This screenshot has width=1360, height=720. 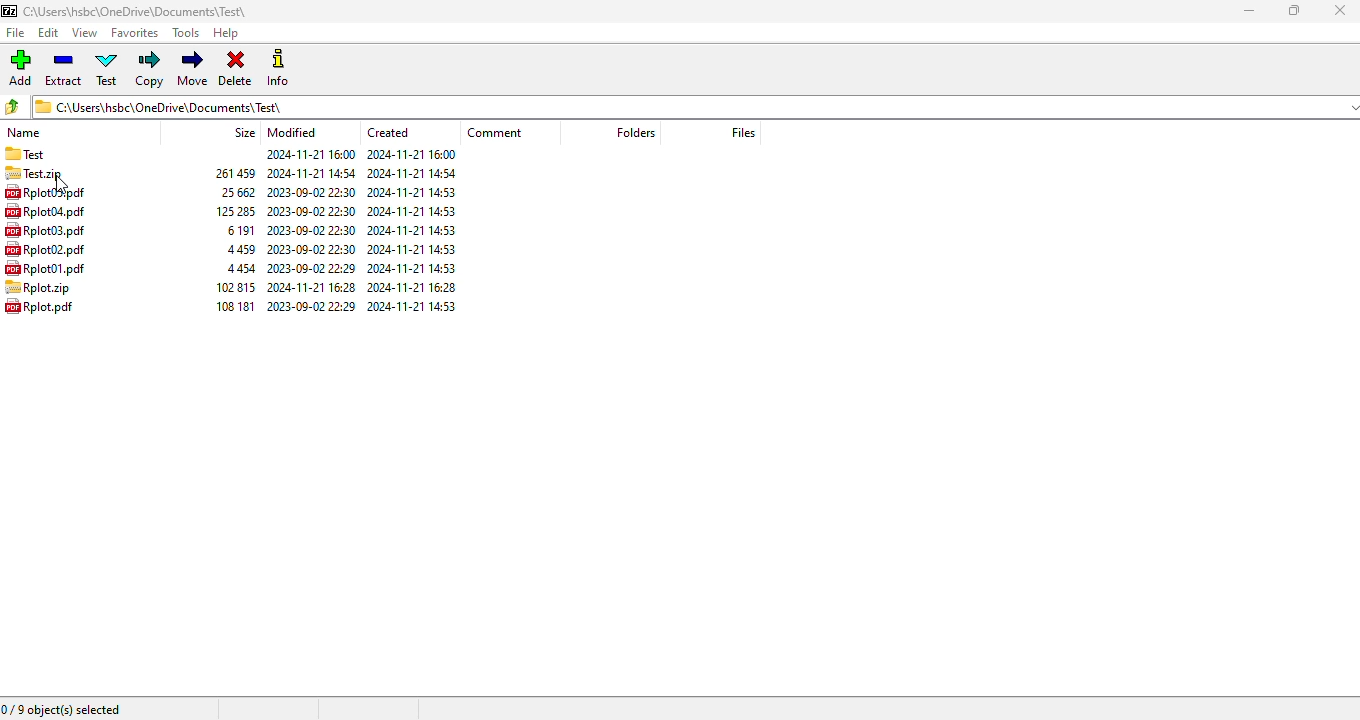 I want to click on logo, so click(x=10, y=11).